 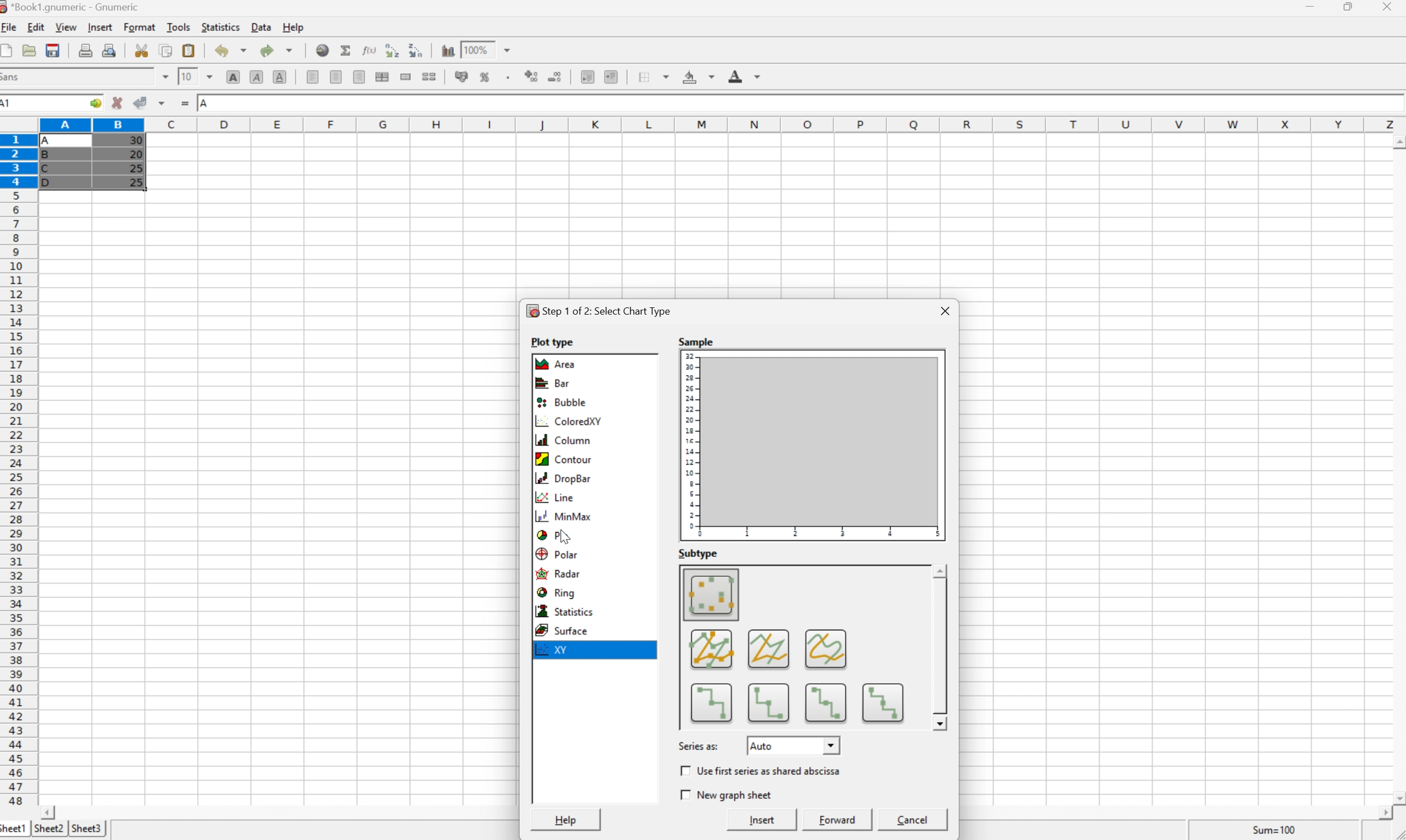 What do you see at coordinates (185, 102) in the screenshot?
I see `Enter formula` at bounding box center [185, 102].